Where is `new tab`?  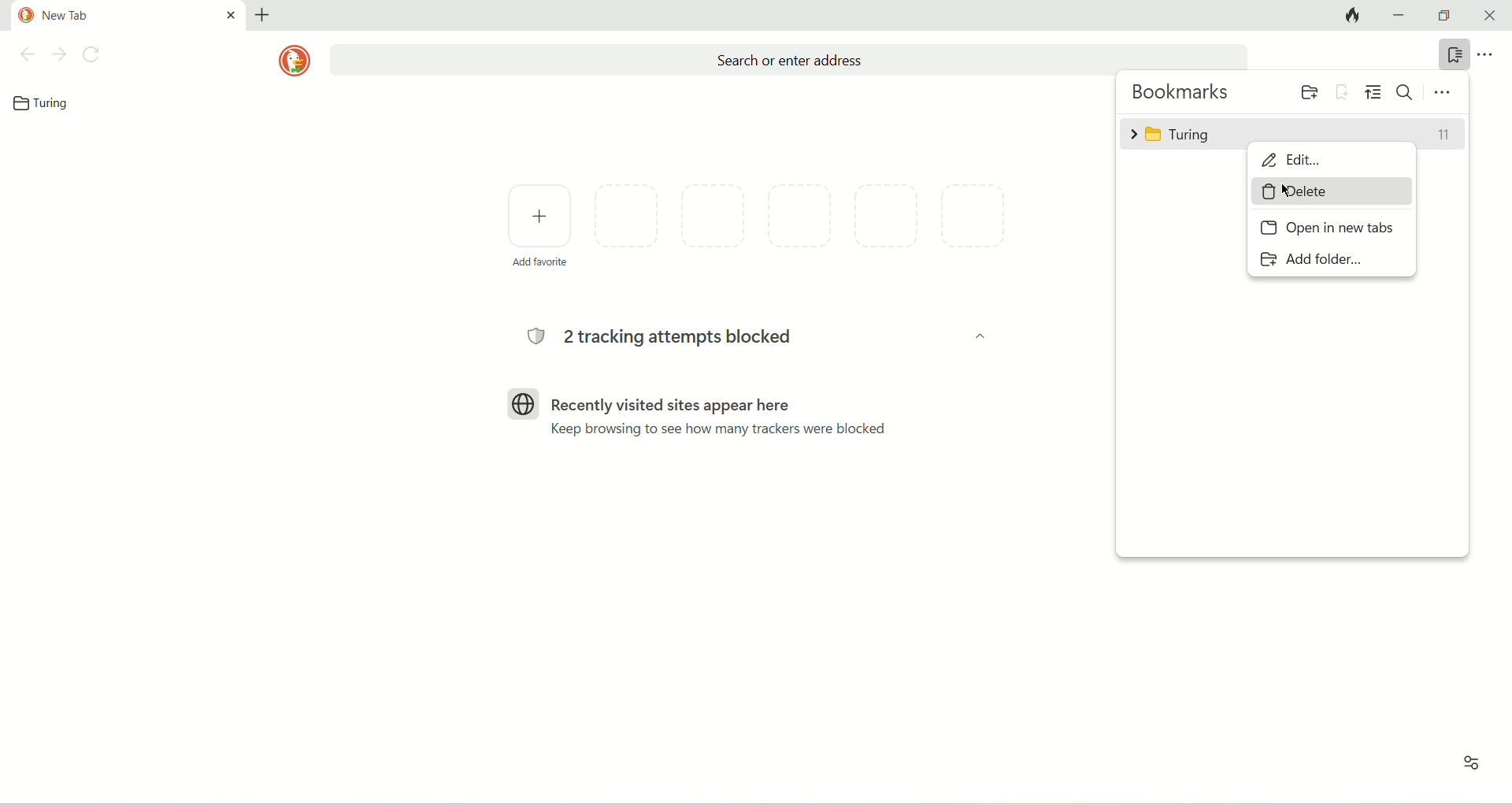 new tab is located at coordinates (264, 13).